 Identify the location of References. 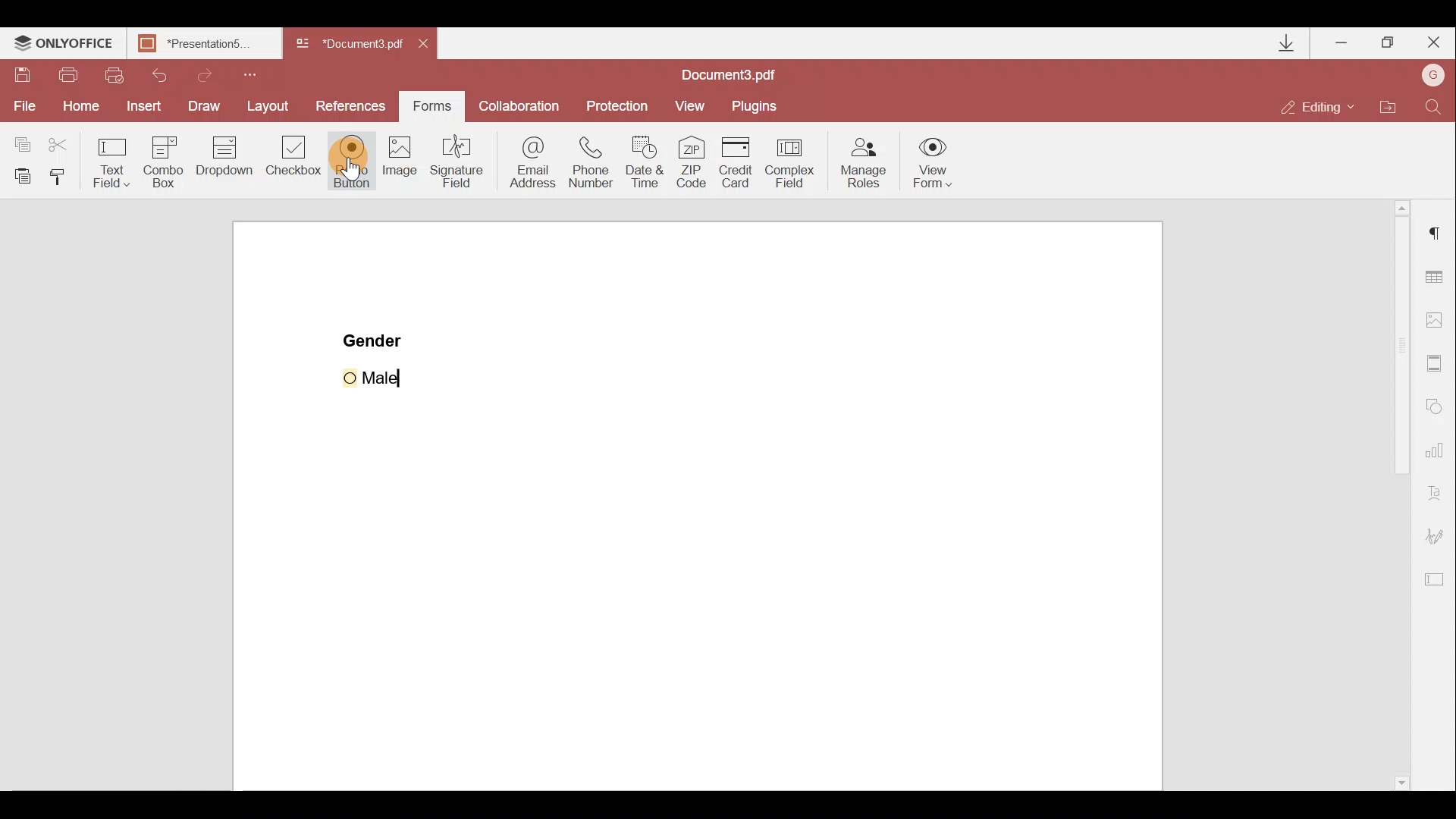
(352, 105).